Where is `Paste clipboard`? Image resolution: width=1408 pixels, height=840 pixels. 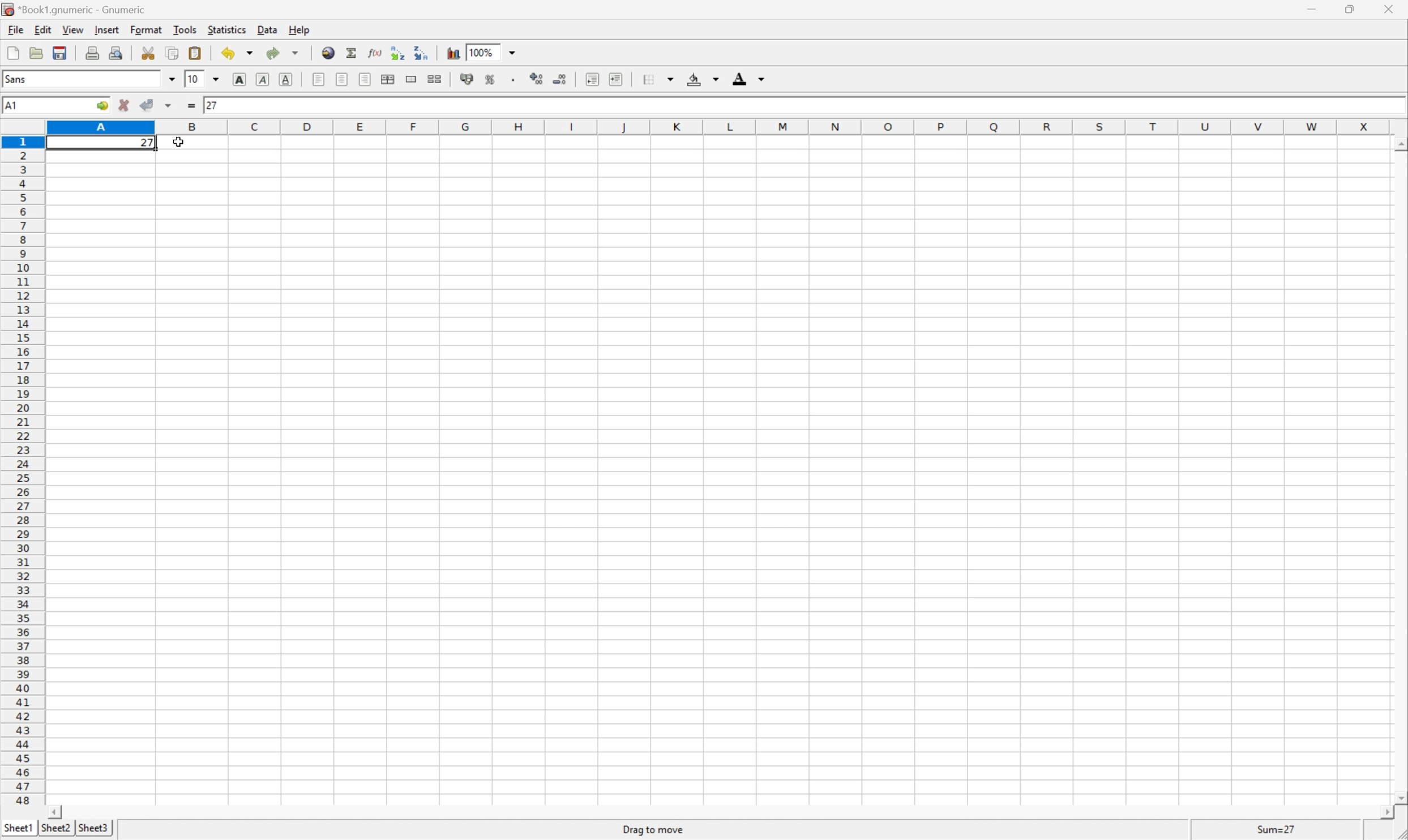 Paste clipboard is located at coordinates (195, 53).